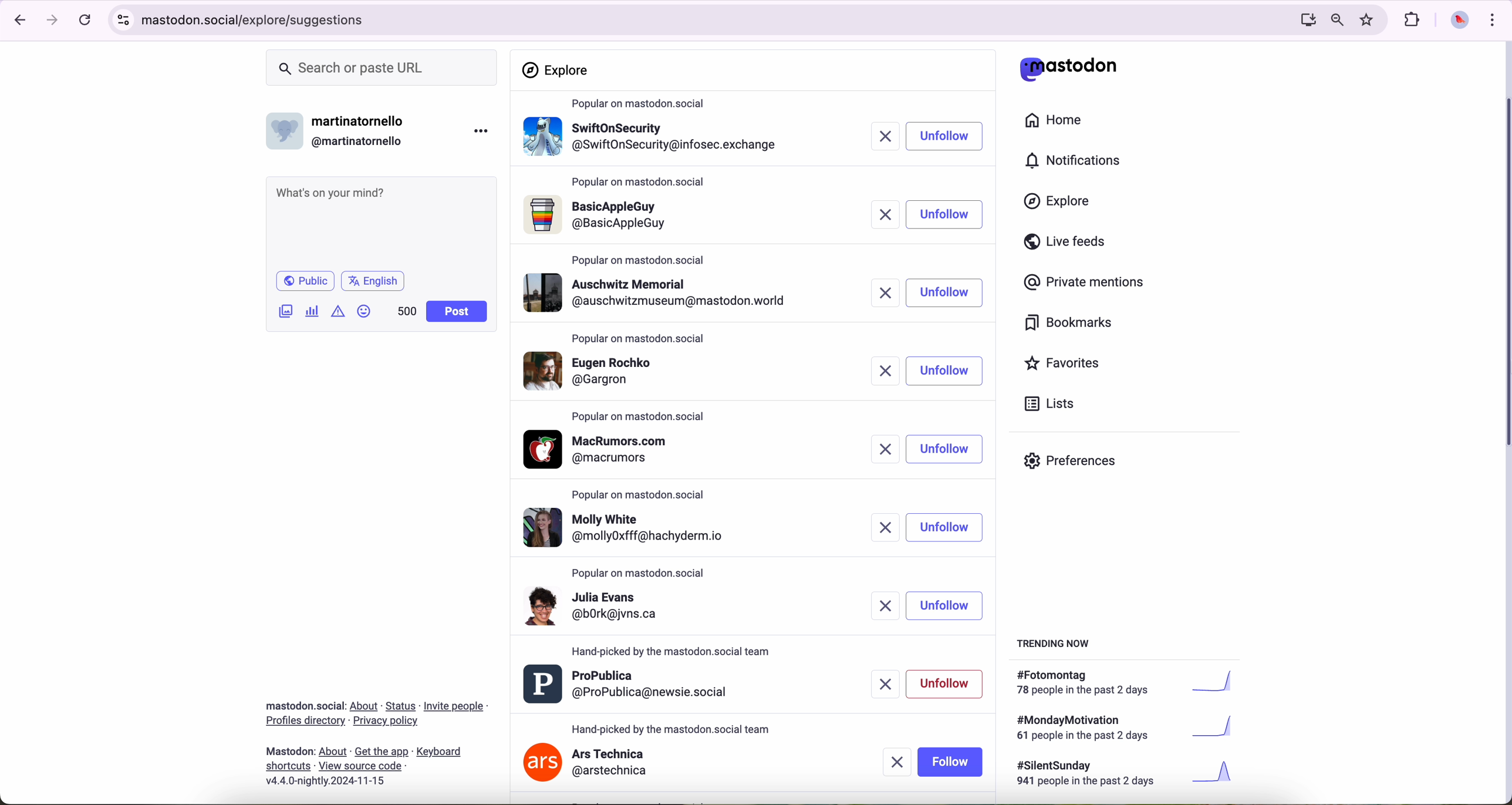  I want to click on URL, so click(258, 18).